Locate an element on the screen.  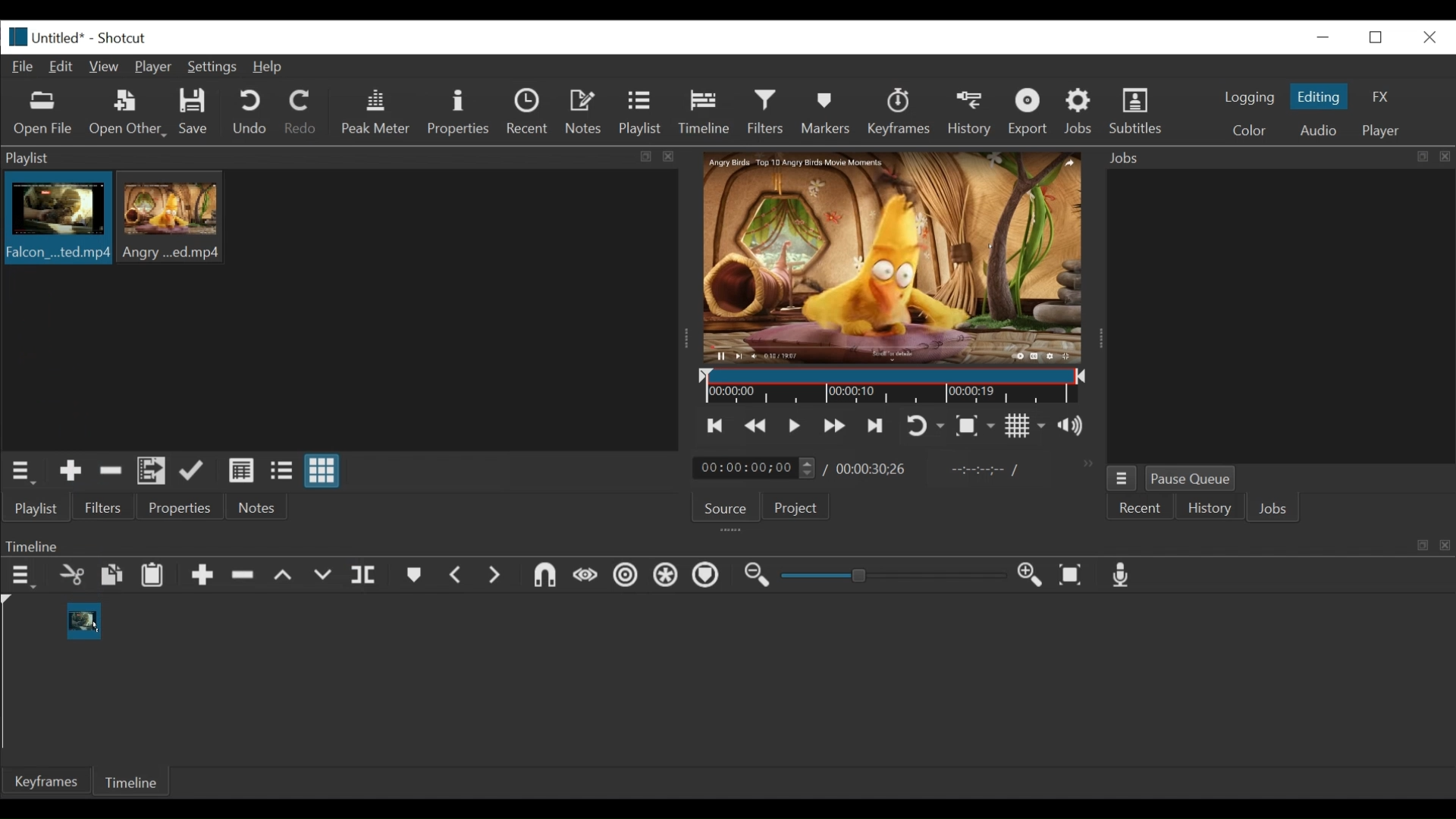
markers is located at coordinates (413, 579).